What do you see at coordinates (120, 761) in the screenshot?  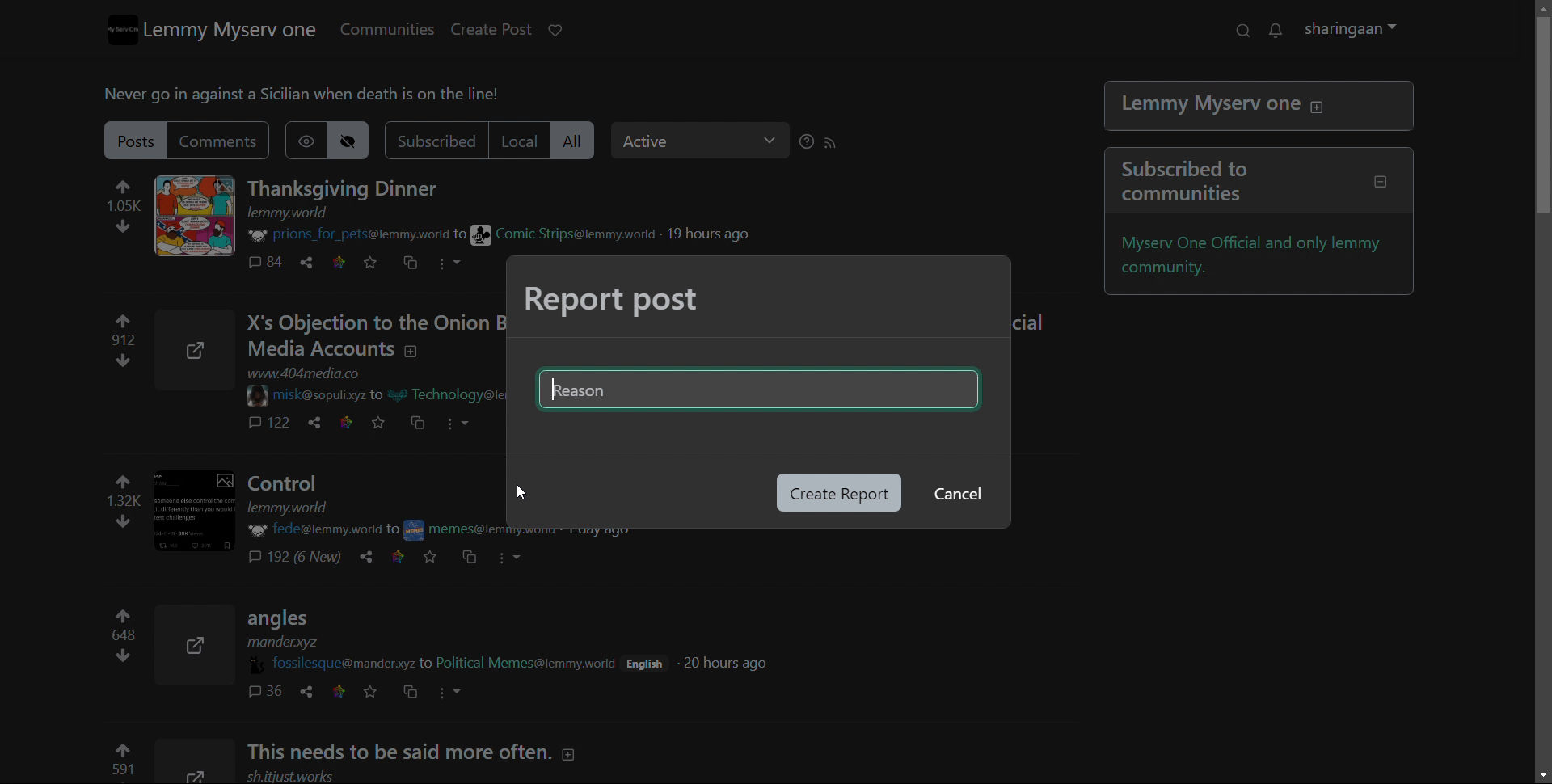 I see `upvote ` at bounding box center [120, 761].